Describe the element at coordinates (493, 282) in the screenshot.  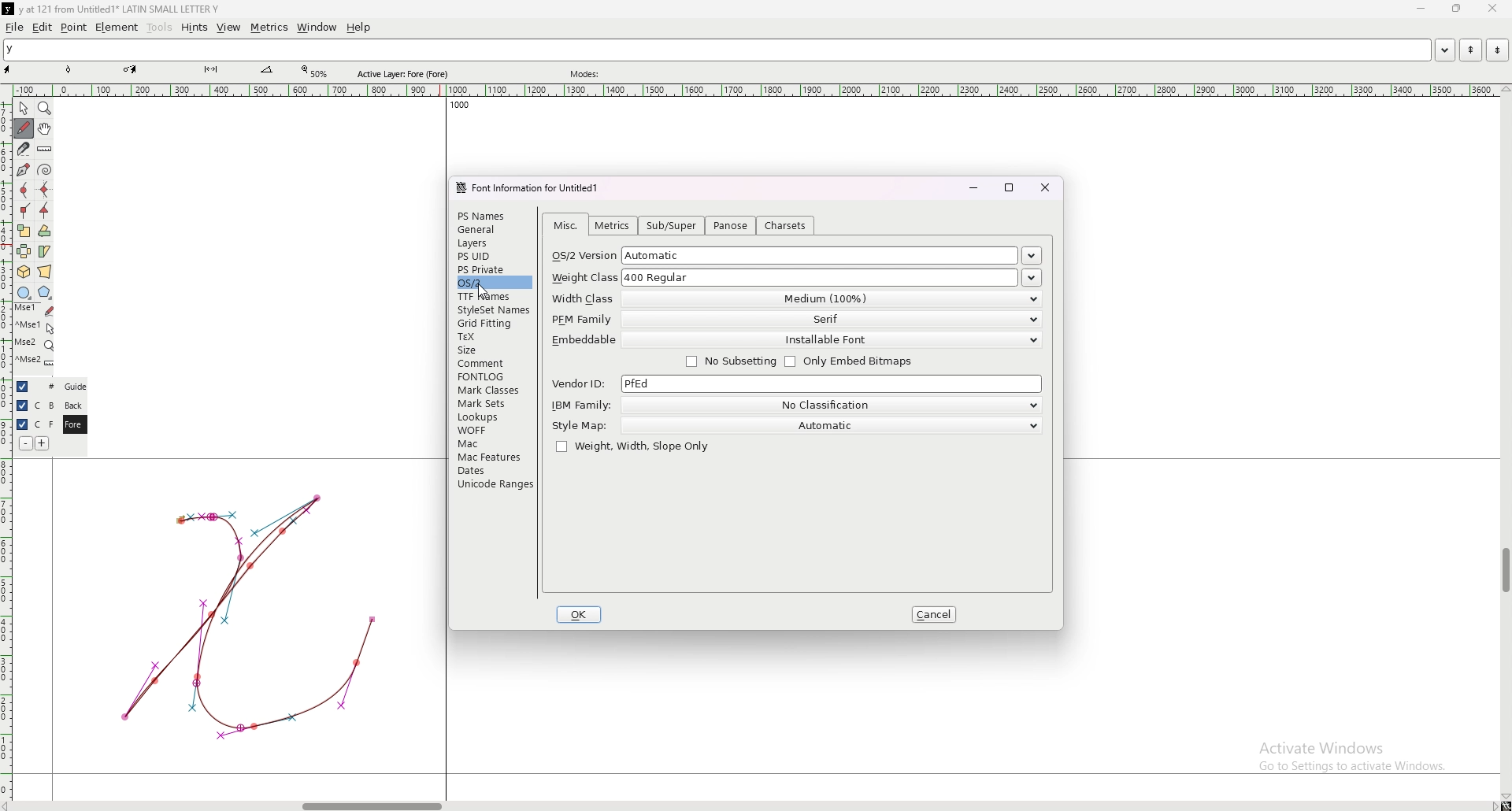
I see `os/2` at that location.